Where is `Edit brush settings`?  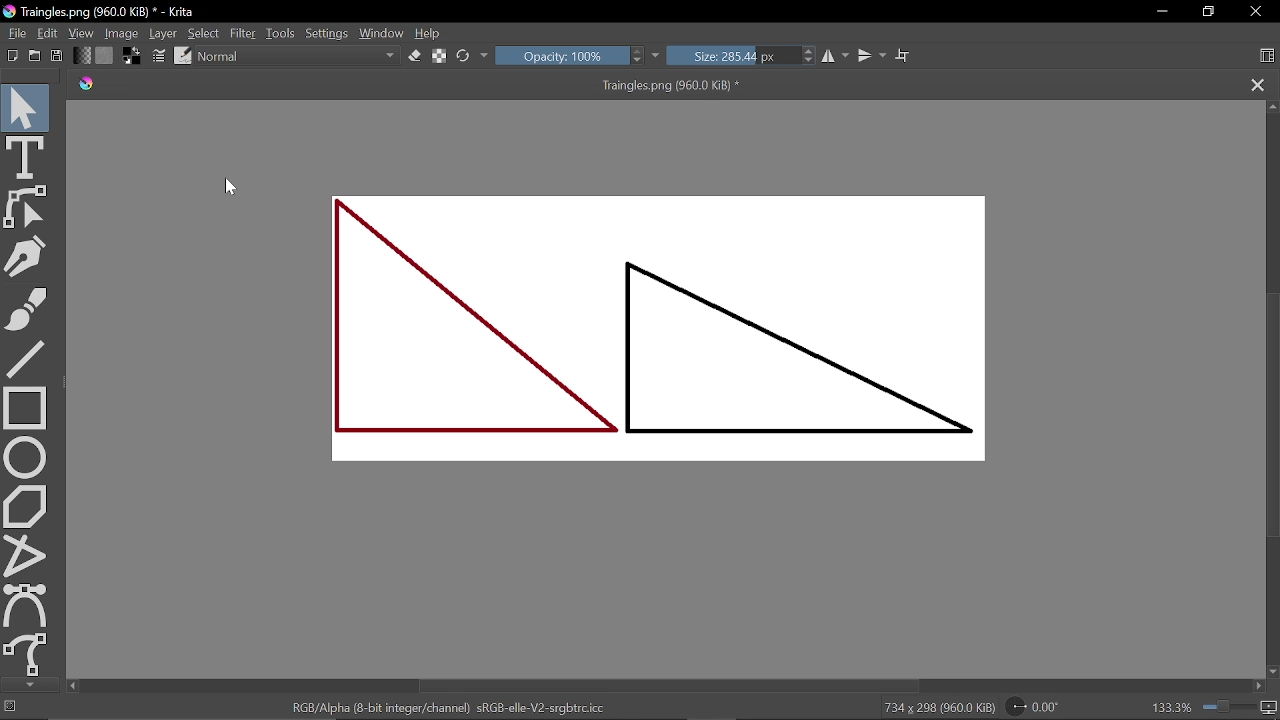 Edit brush settings is located at coordinates (157, 57).